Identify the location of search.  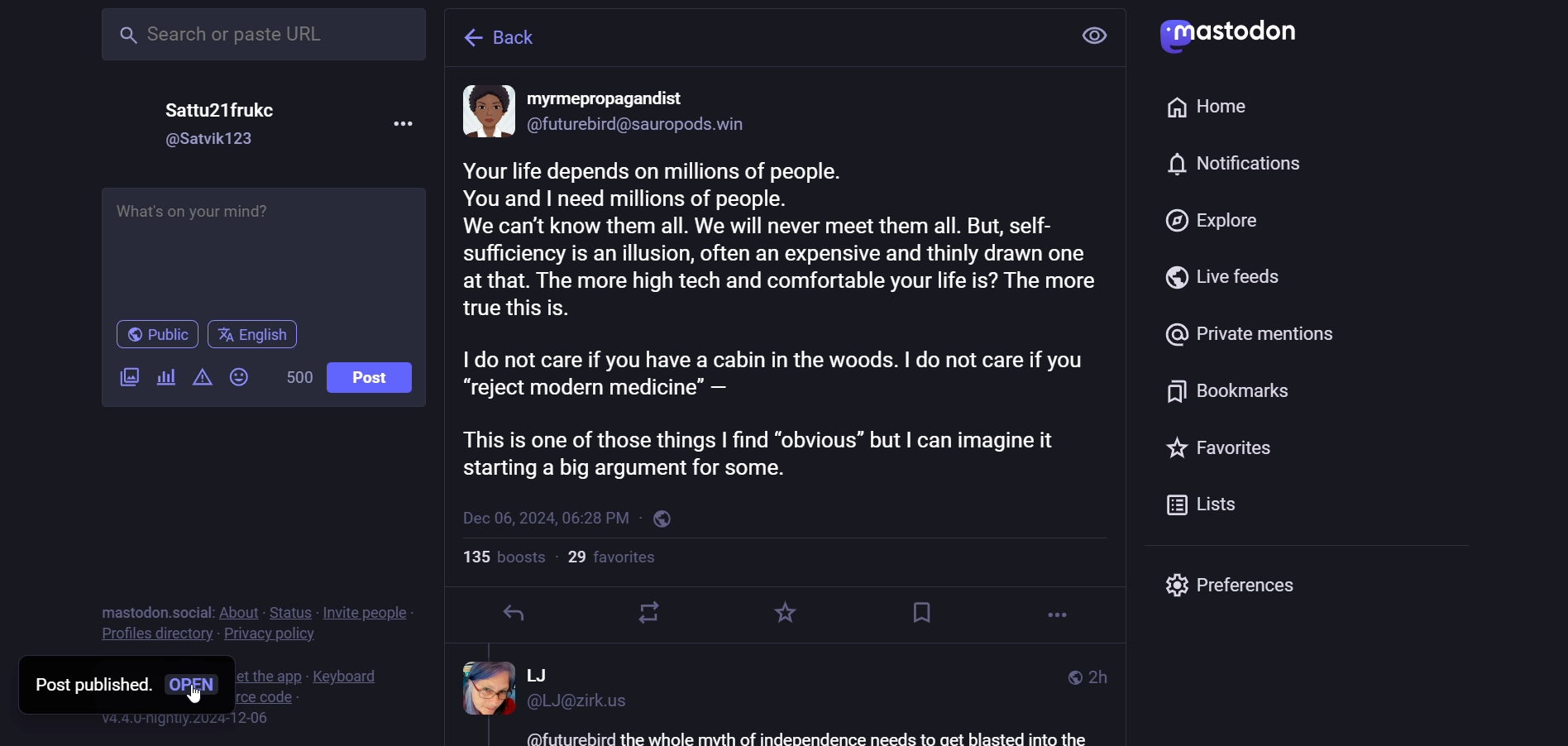
(265, 37).